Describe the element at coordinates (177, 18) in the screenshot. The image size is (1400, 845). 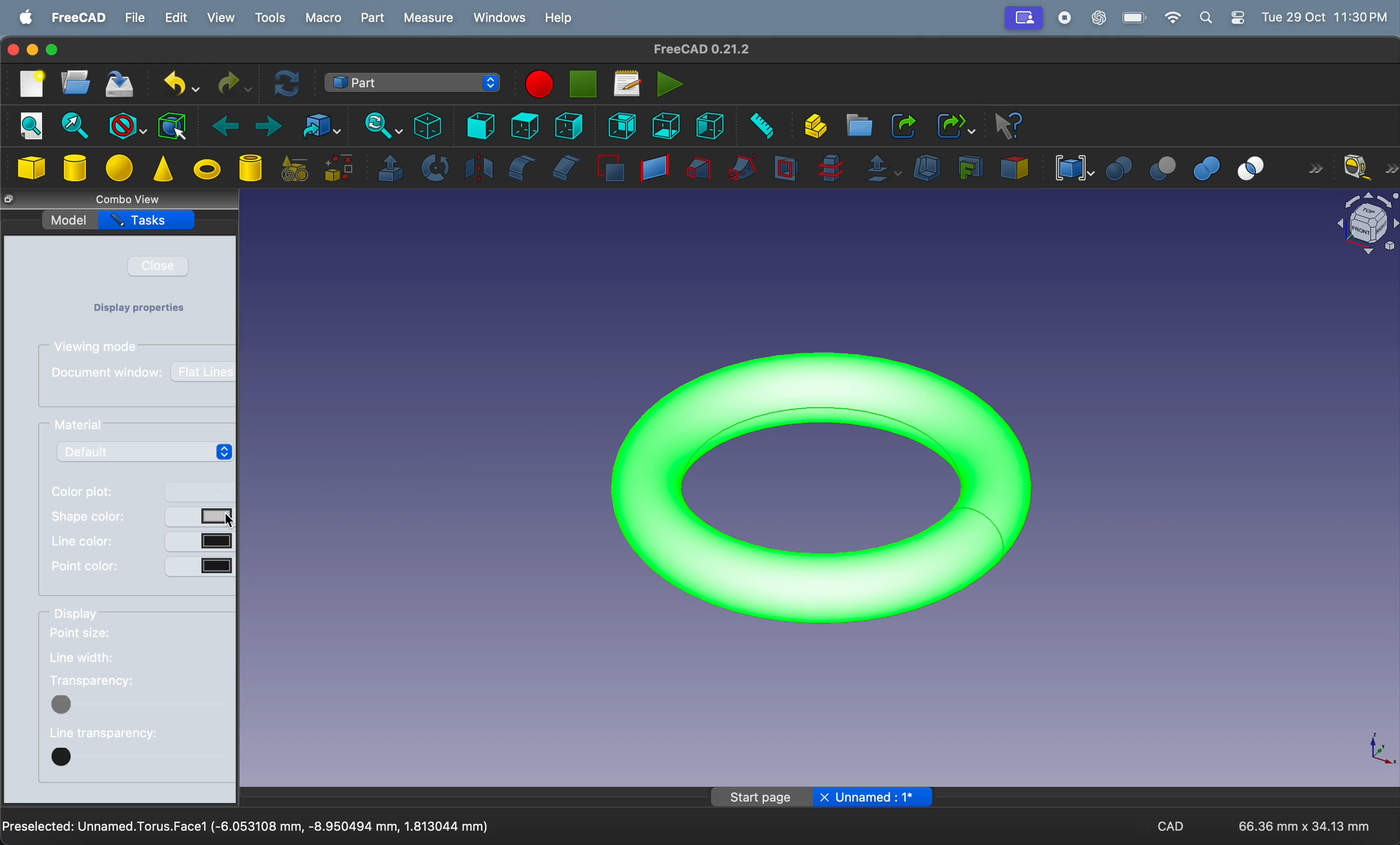
I see `edit` at that location.